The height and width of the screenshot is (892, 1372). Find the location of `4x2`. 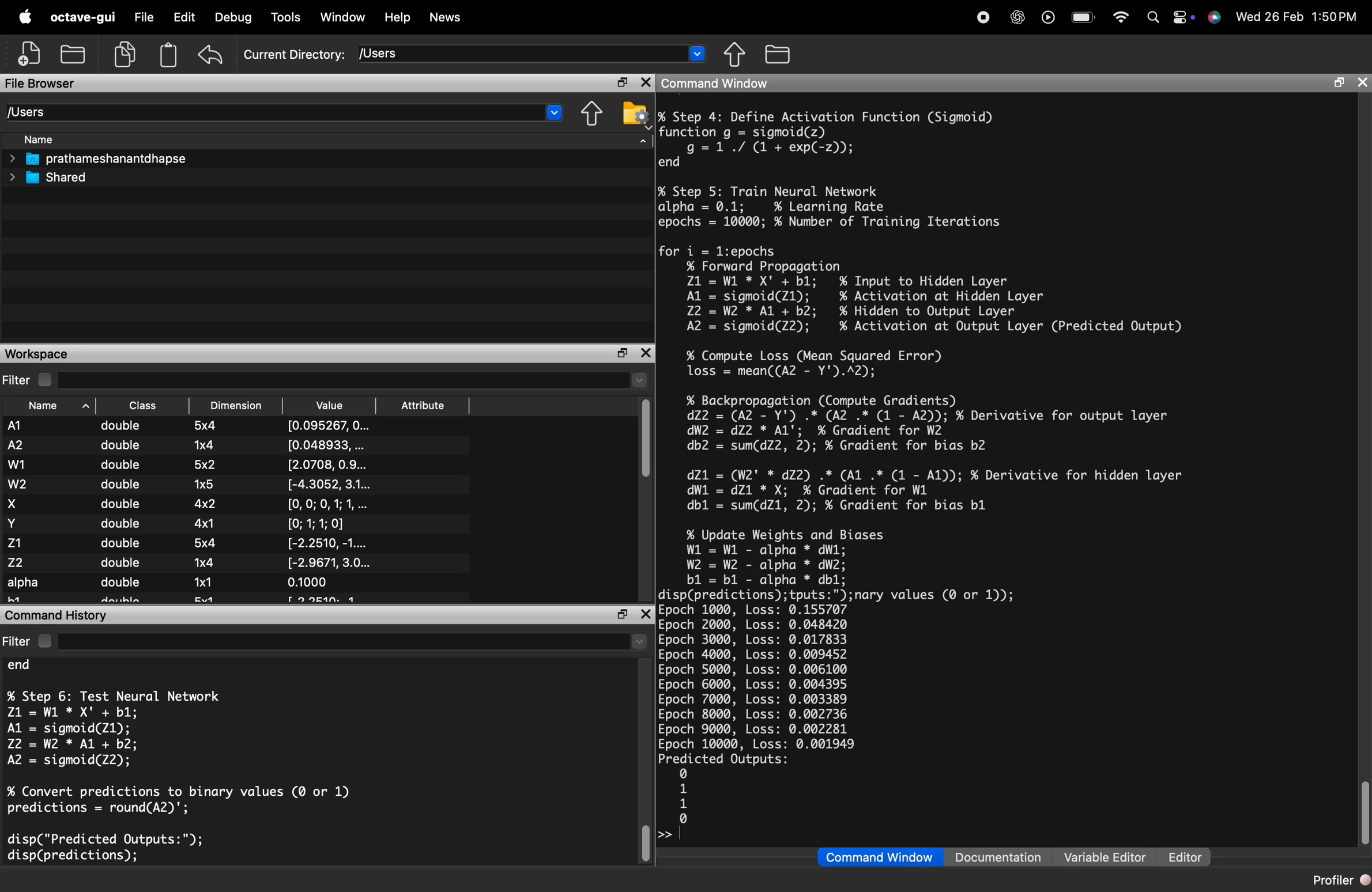

4x2 is located at coordinates (205, 504).